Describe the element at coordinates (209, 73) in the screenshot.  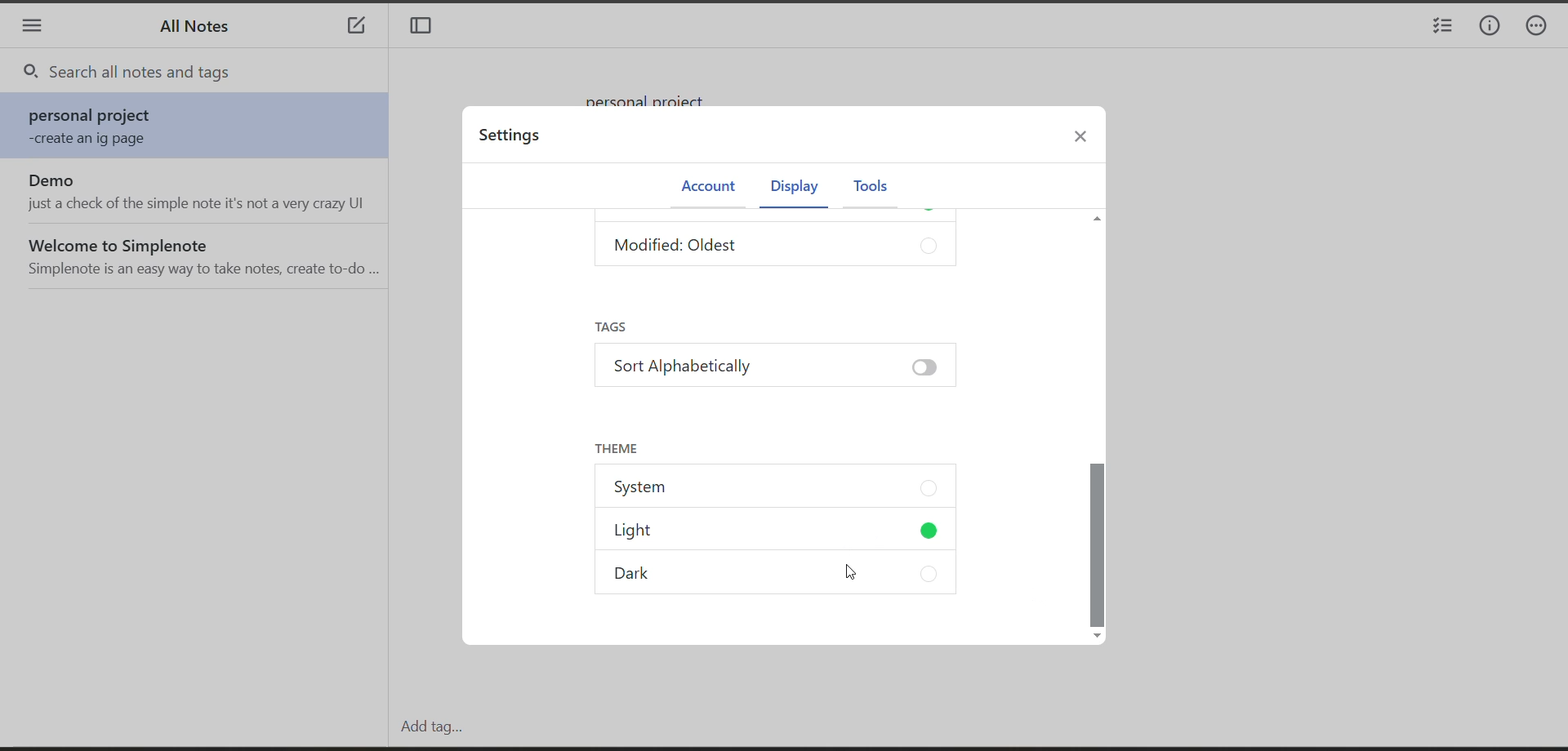
I see `search all notes and tags` at that location.